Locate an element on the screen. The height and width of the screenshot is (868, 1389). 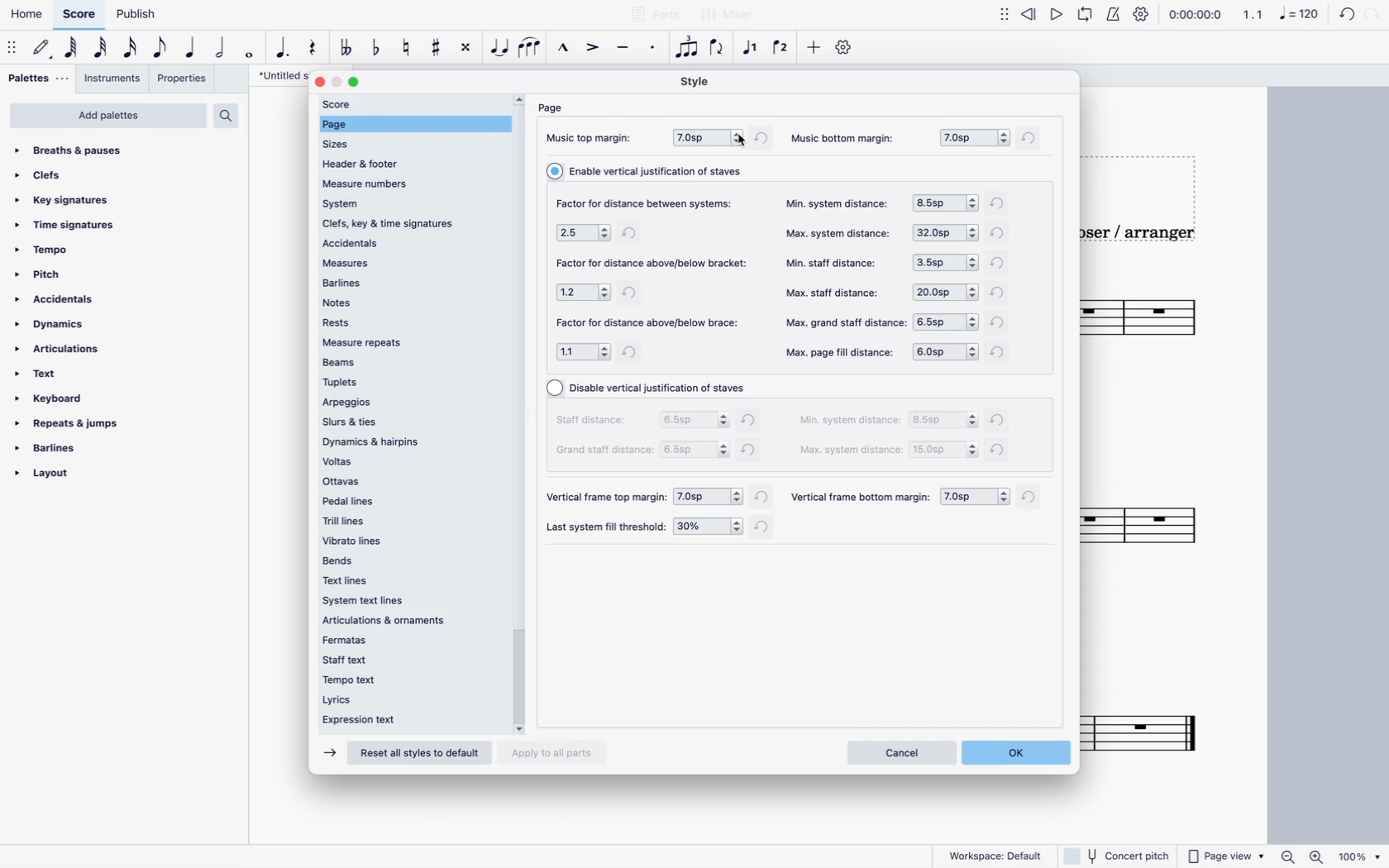
options is located at coordinates (708, 497).